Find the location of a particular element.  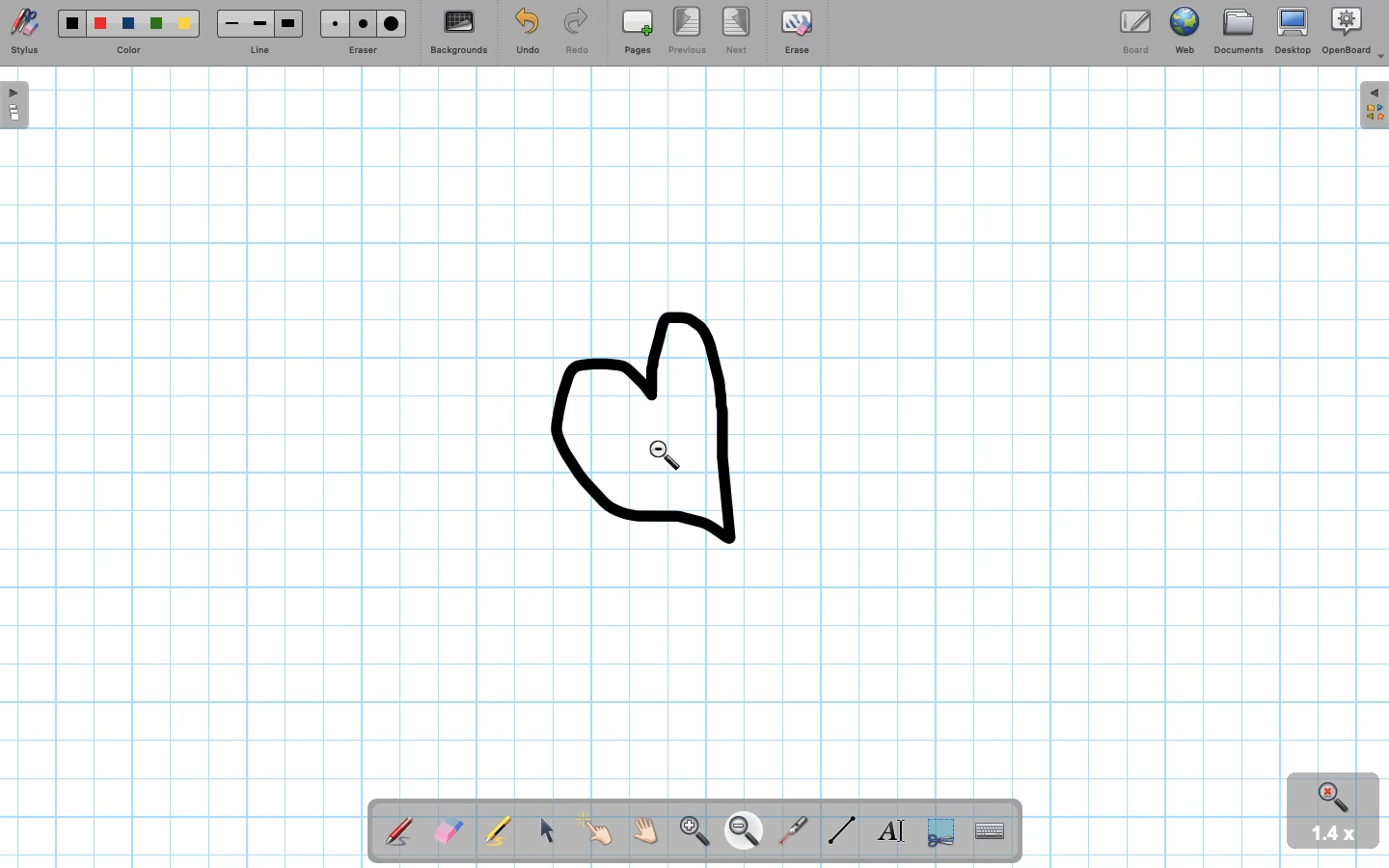

Board is located at coordinates (1139, 30).